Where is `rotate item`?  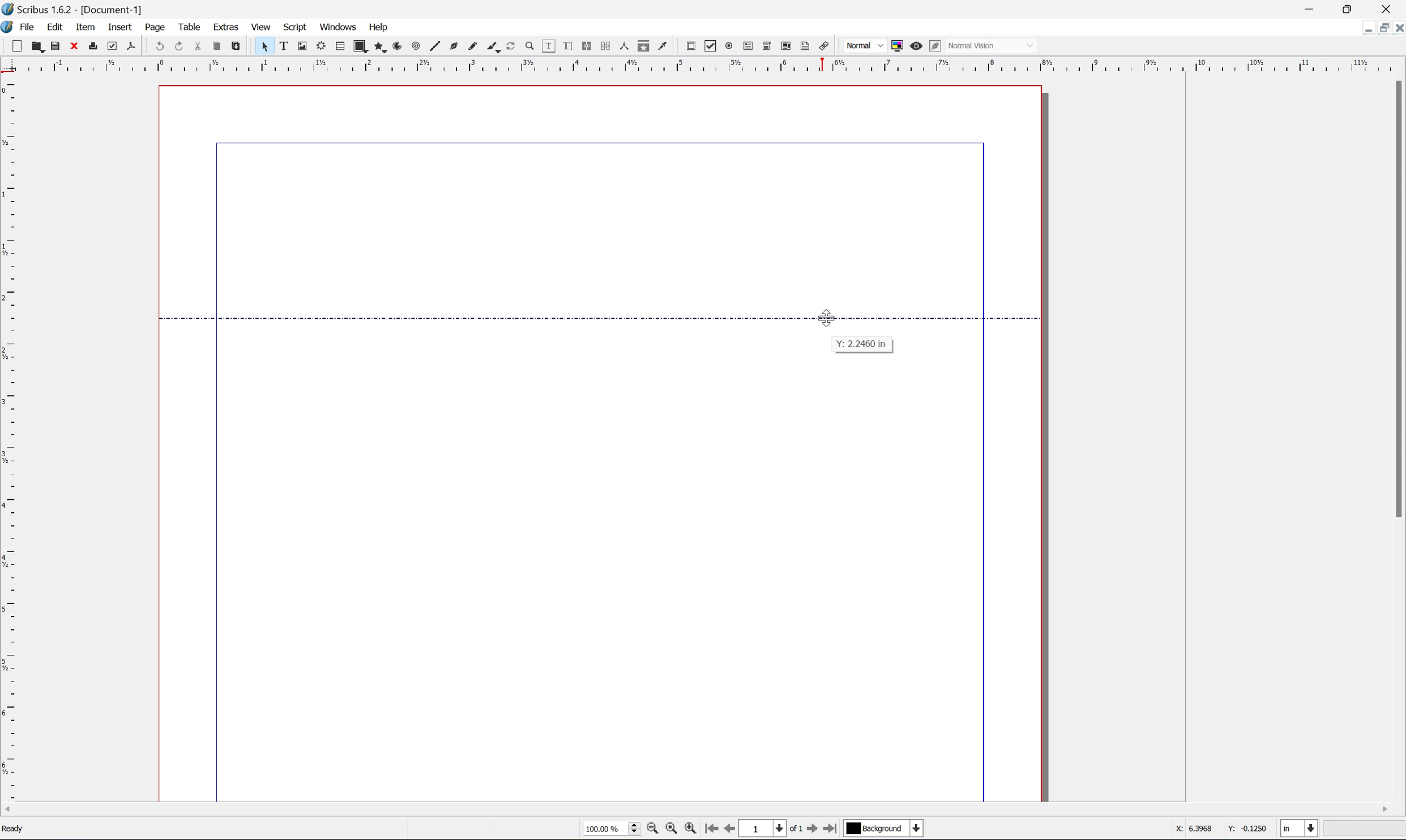 rotate item is located at coordinates (512, 46).